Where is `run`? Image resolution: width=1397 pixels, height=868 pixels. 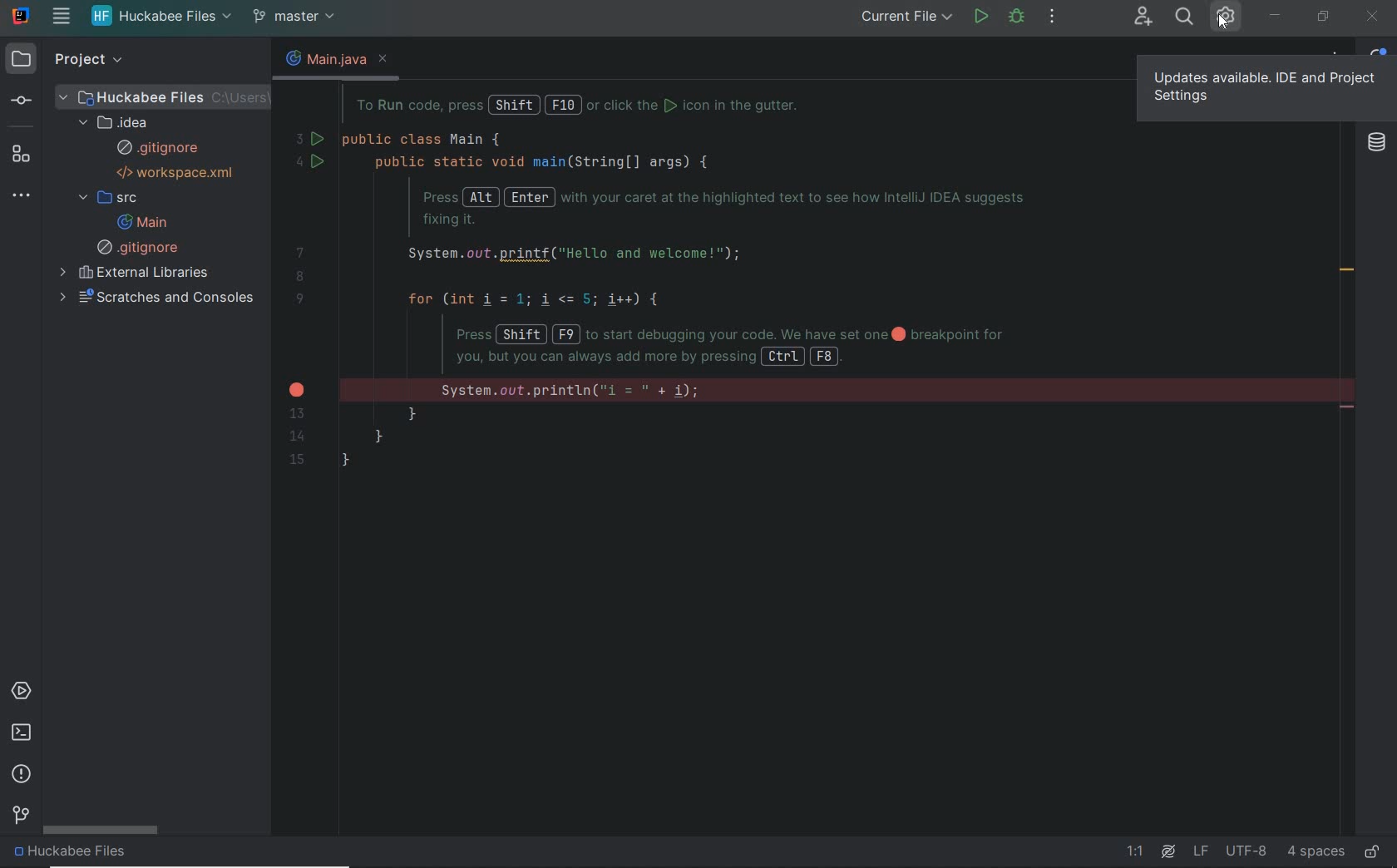
run is located at coordinates (980, 18).